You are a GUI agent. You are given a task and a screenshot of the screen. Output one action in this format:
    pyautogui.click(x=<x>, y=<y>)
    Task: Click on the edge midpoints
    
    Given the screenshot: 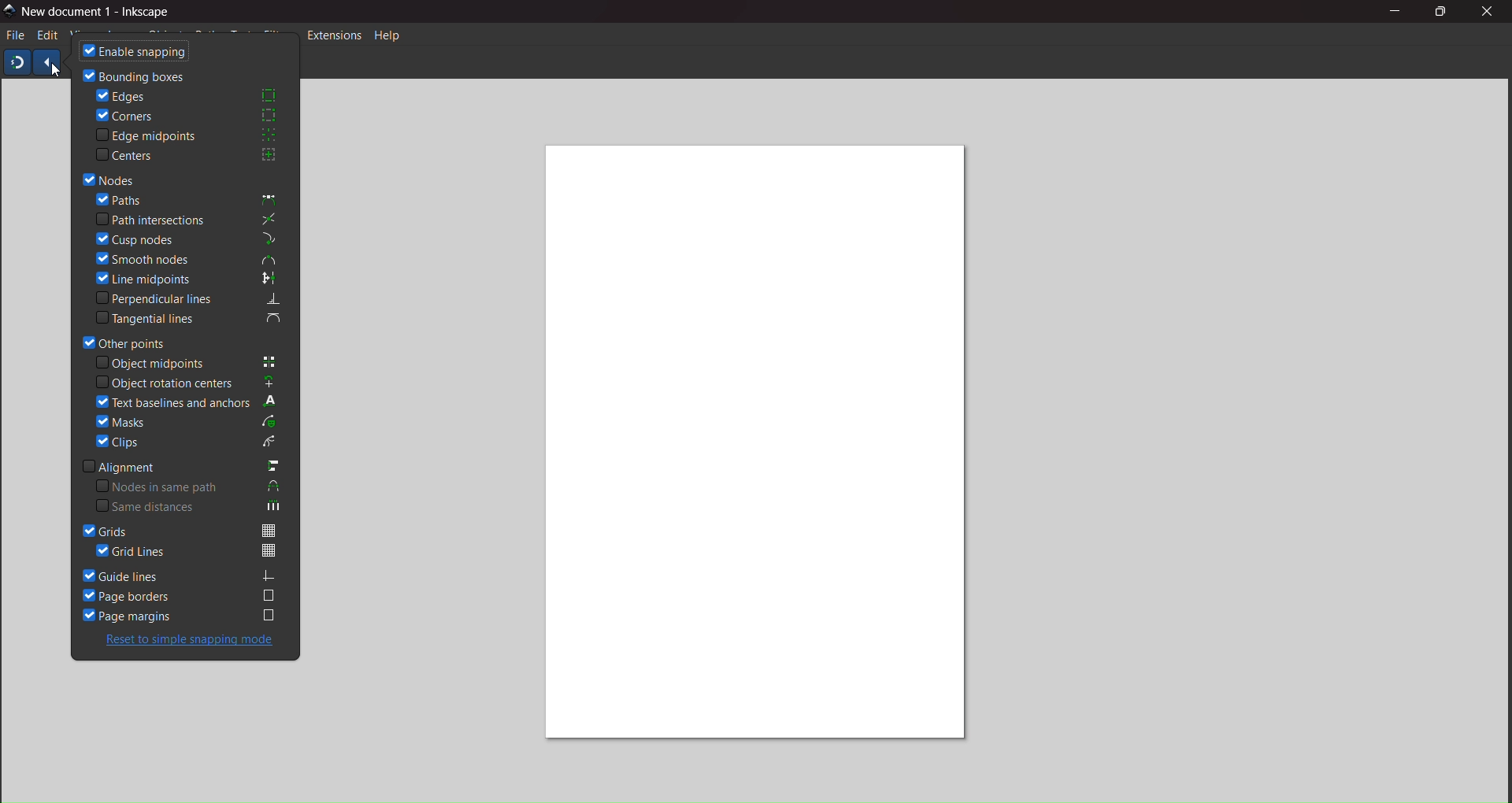 What is the action you would take?
    pyautogui.click(x=188, y=135)
    